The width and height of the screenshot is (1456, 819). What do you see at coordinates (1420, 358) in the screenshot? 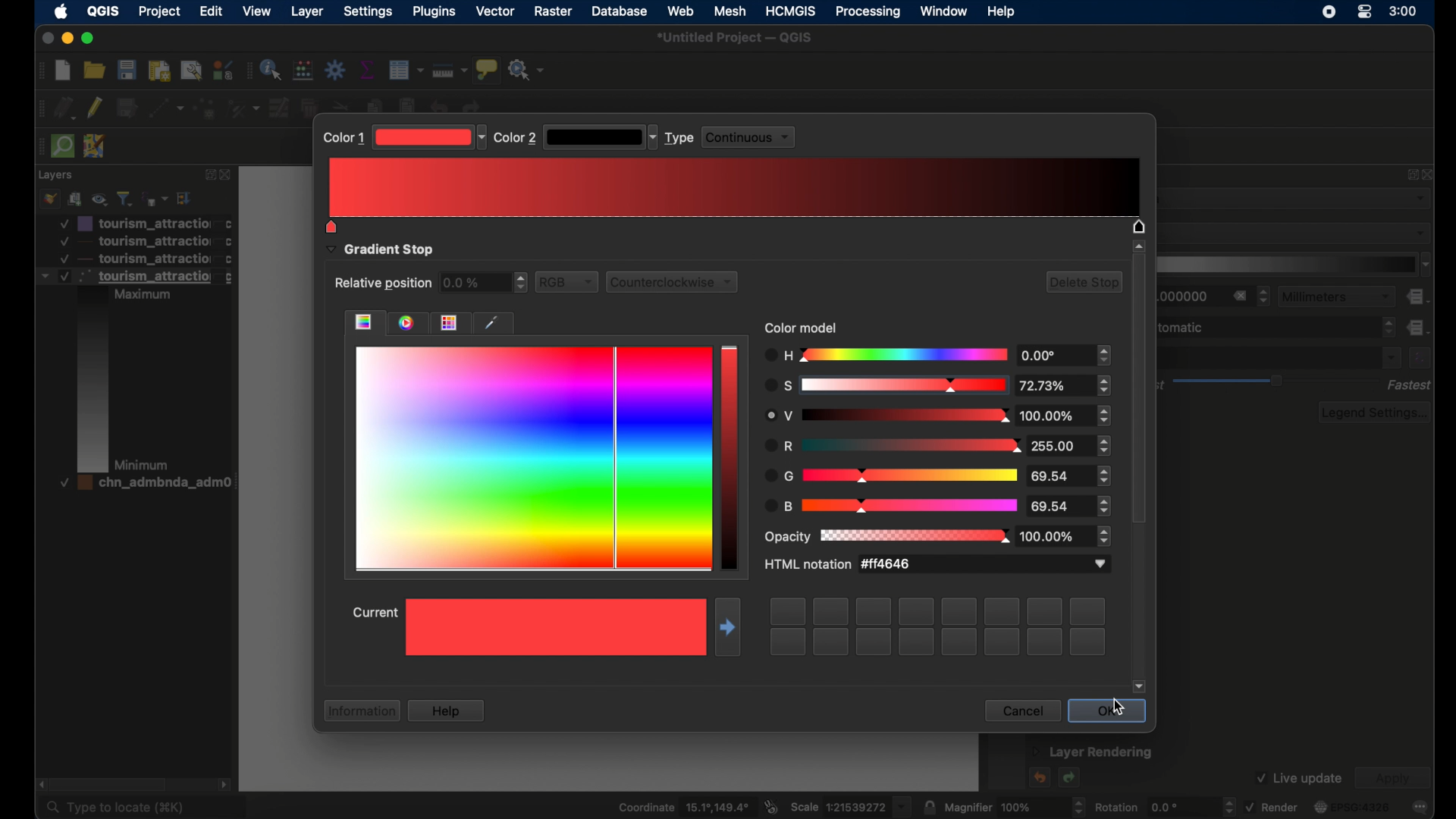
I see `expression builder` at bounding box center [1420, 358].